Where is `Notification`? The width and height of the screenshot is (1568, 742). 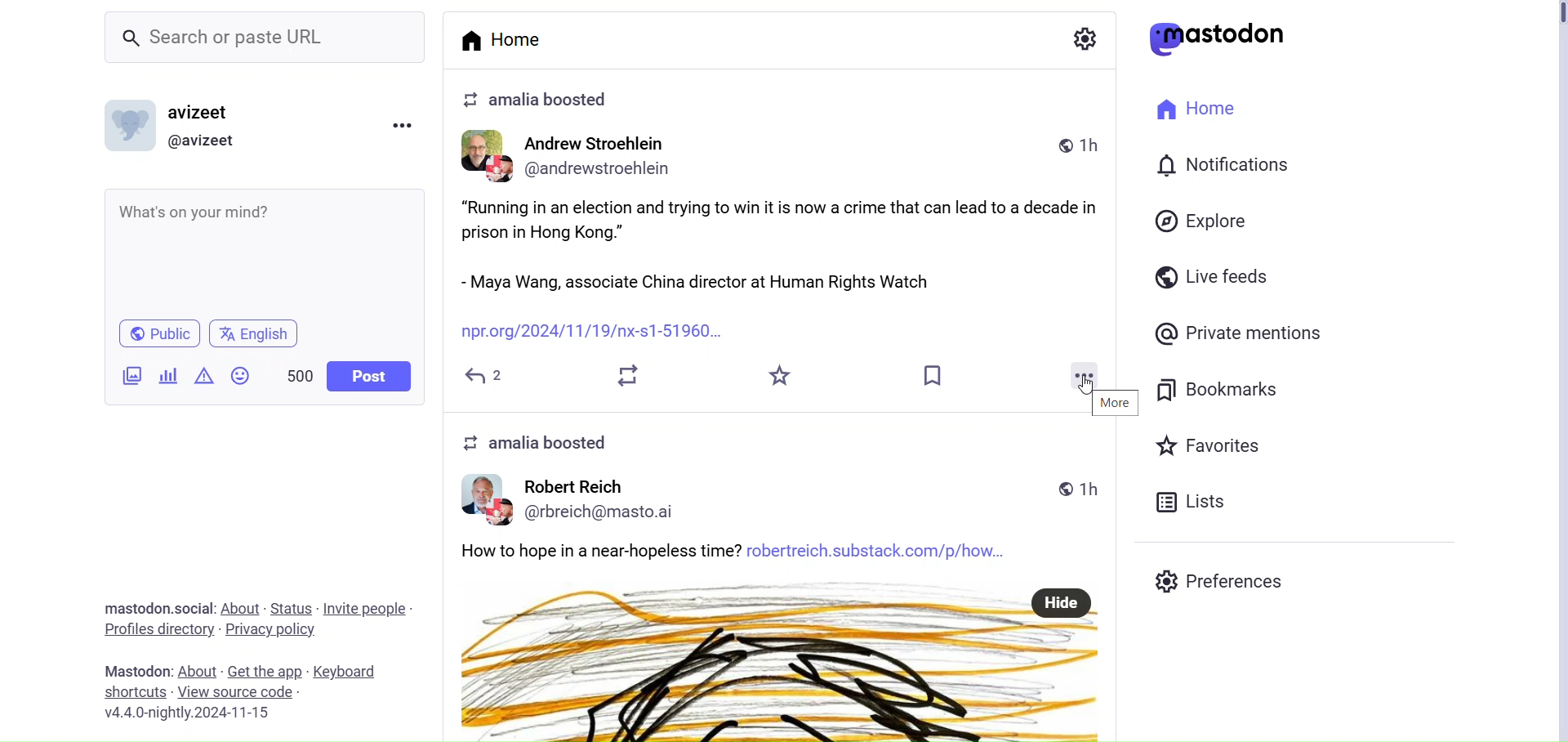 Notification is located at coordinates (1222, 165).